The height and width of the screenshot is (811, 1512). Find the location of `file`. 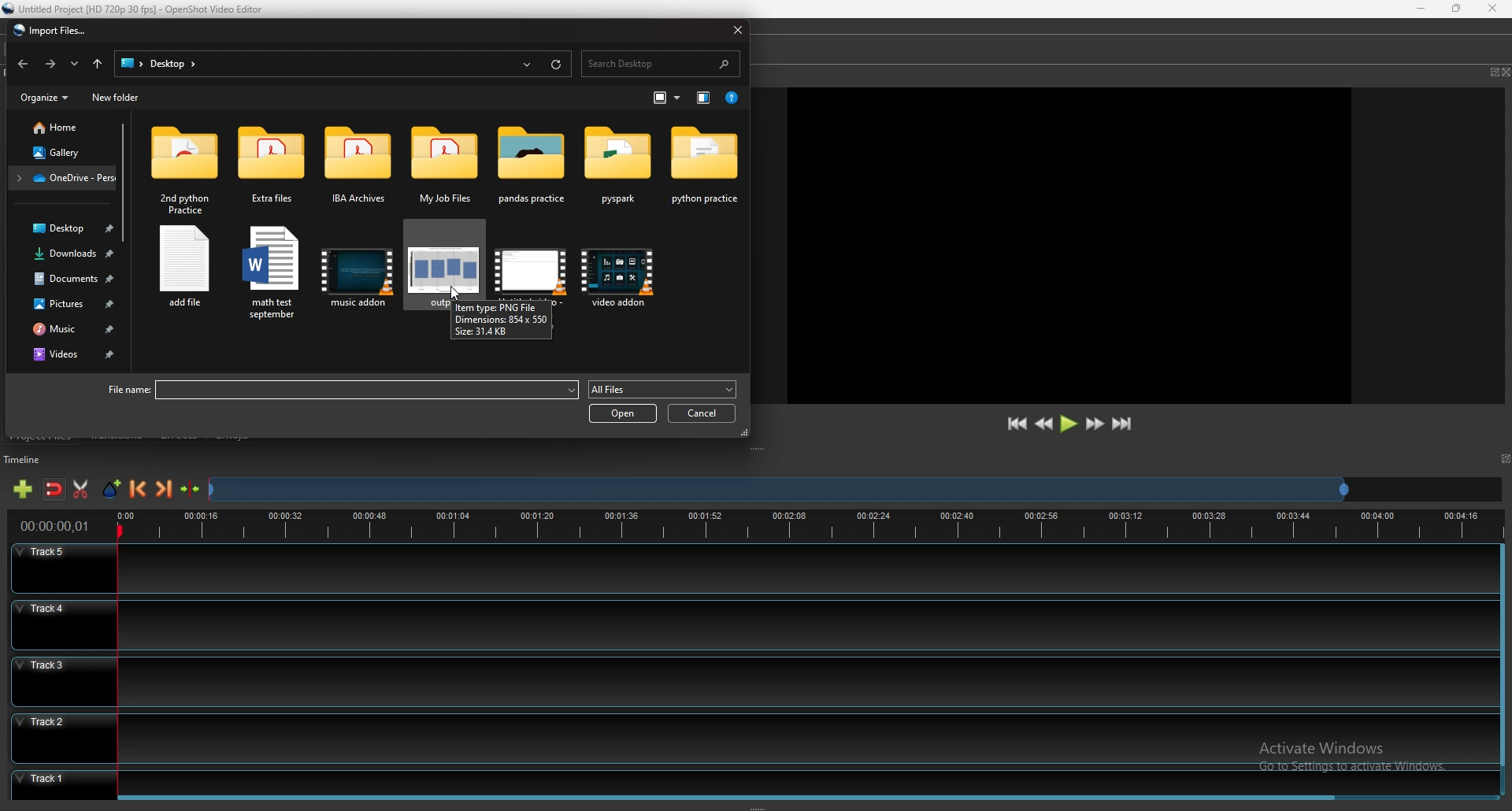

file is located at coordinates (358, 275).